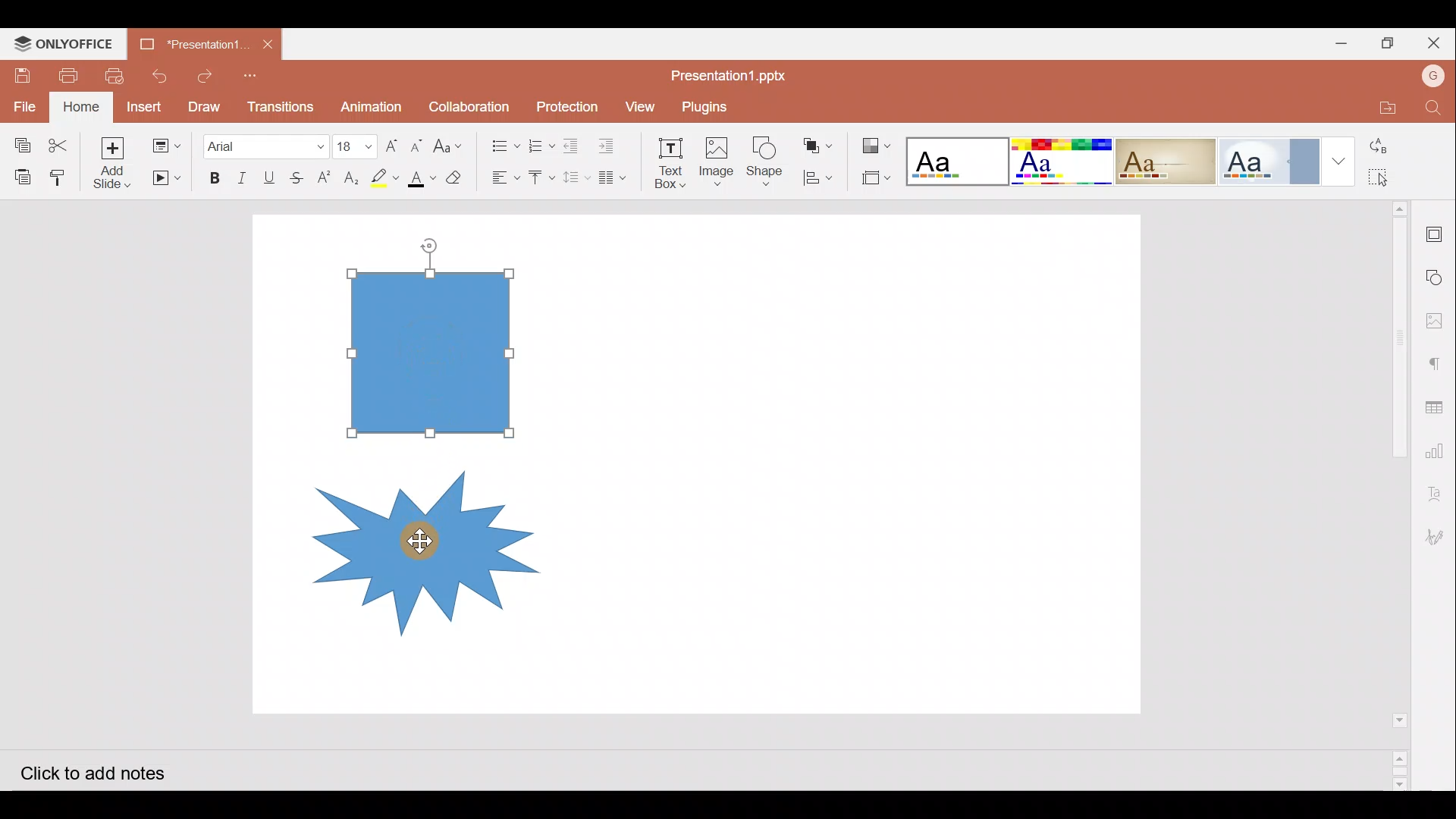  I want to click on Insert shape, so click(764, 155).